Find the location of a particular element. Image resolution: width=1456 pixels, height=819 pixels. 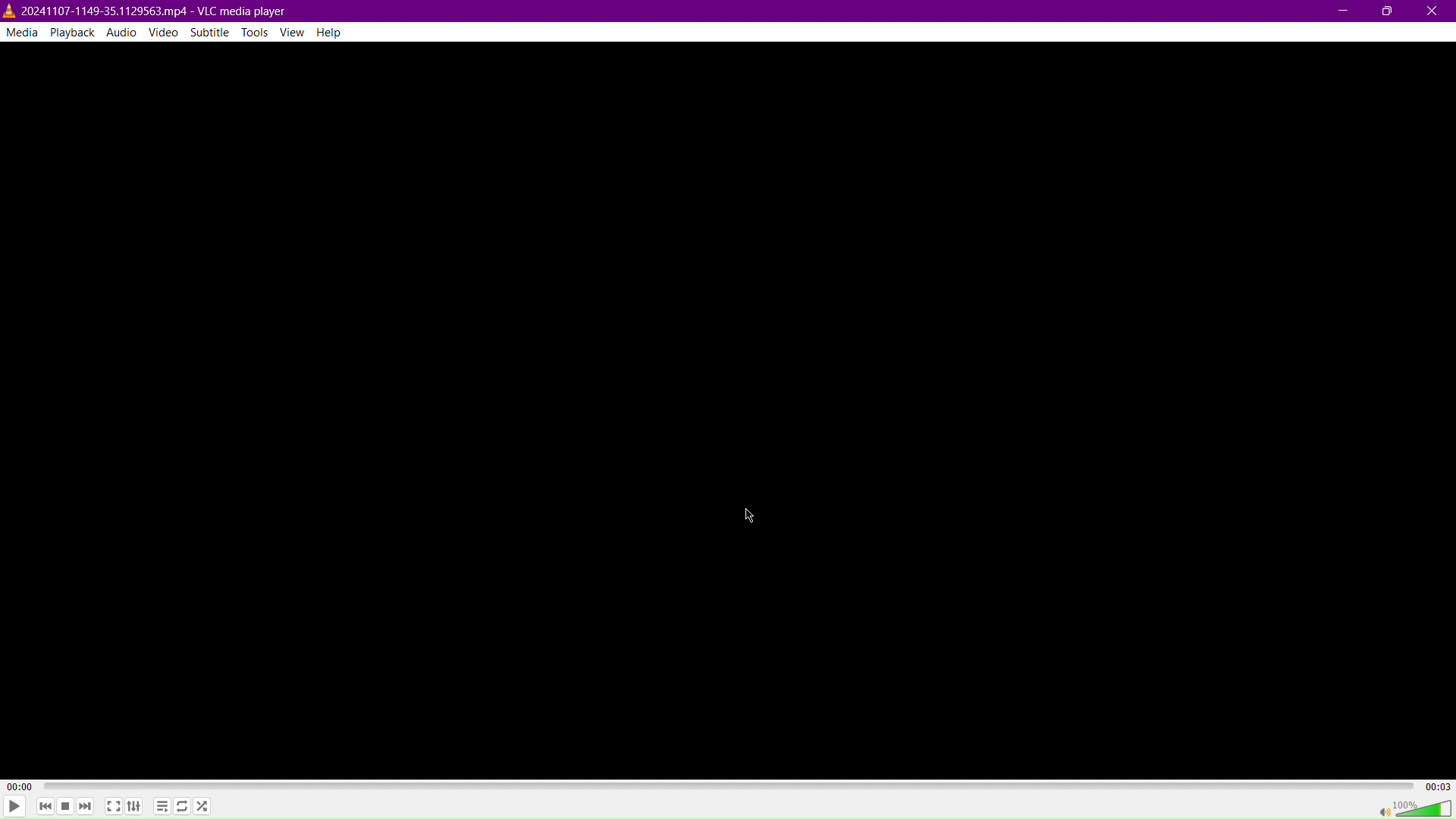

Playback is located at coordinates (71, 32).